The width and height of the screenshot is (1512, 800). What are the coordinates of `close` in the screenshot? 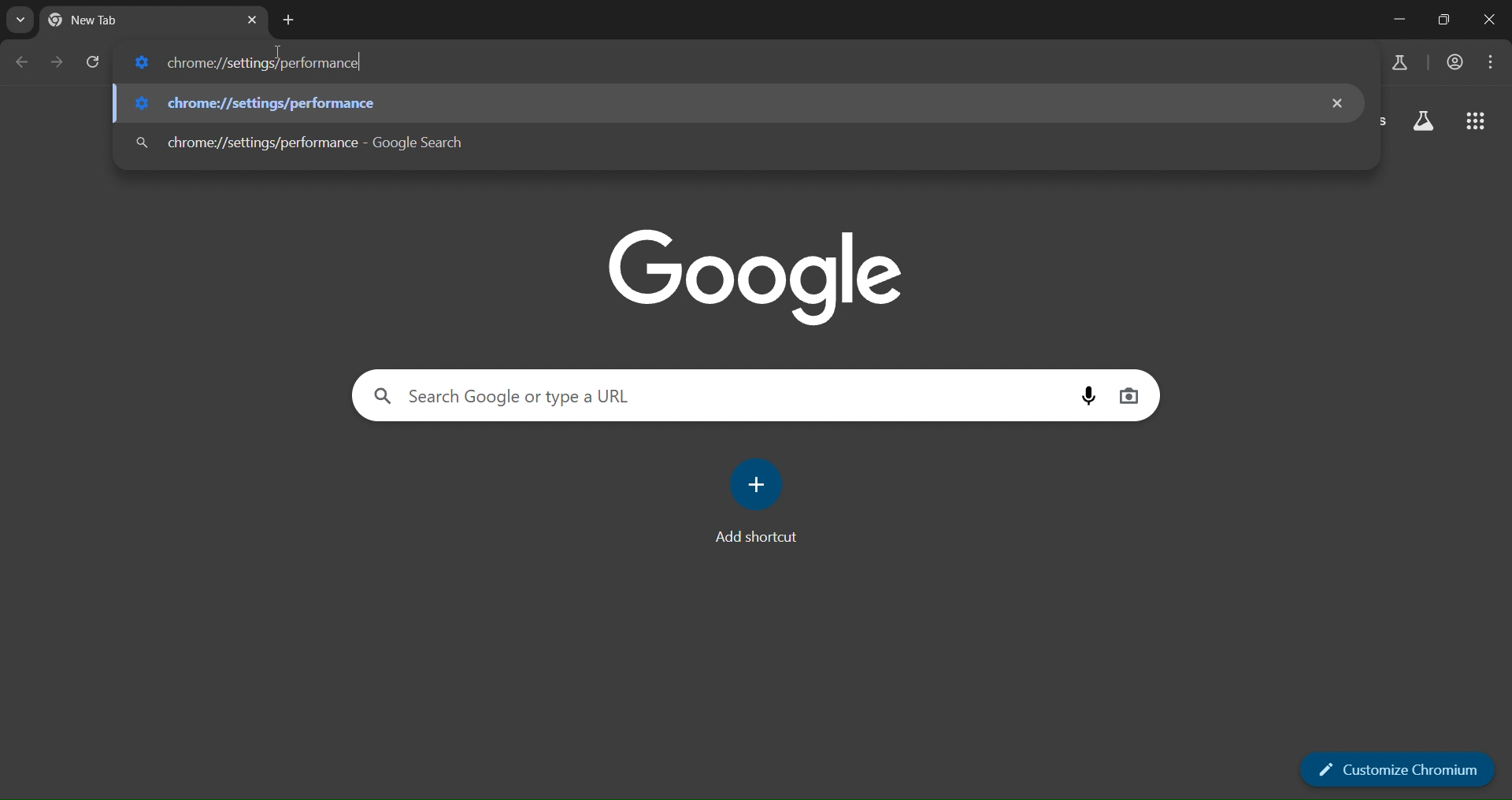 It's located at (1490, 20).